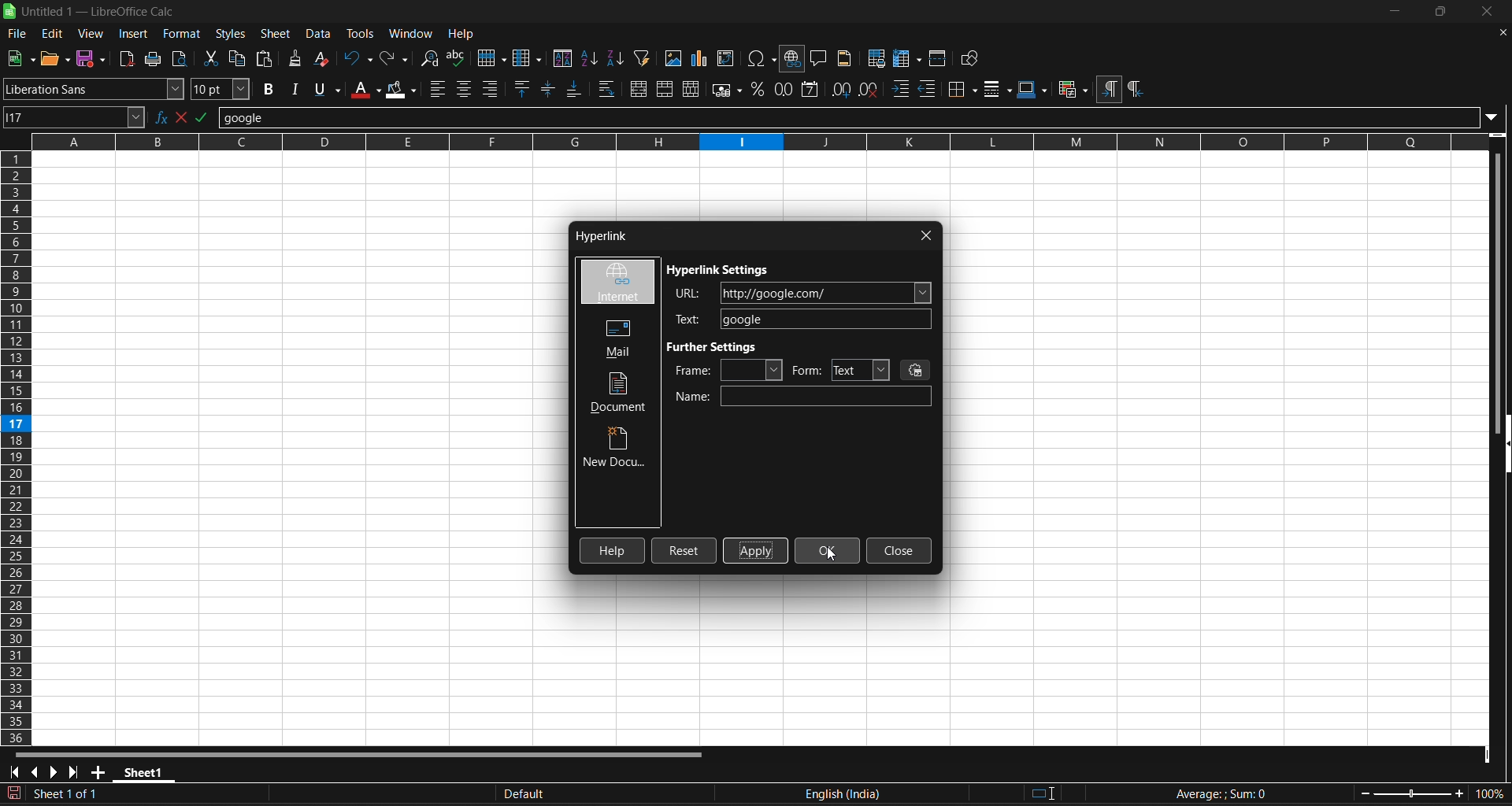 The height and width of the screenshot is (806, 1512). I want to click on default, so click(646, 794).